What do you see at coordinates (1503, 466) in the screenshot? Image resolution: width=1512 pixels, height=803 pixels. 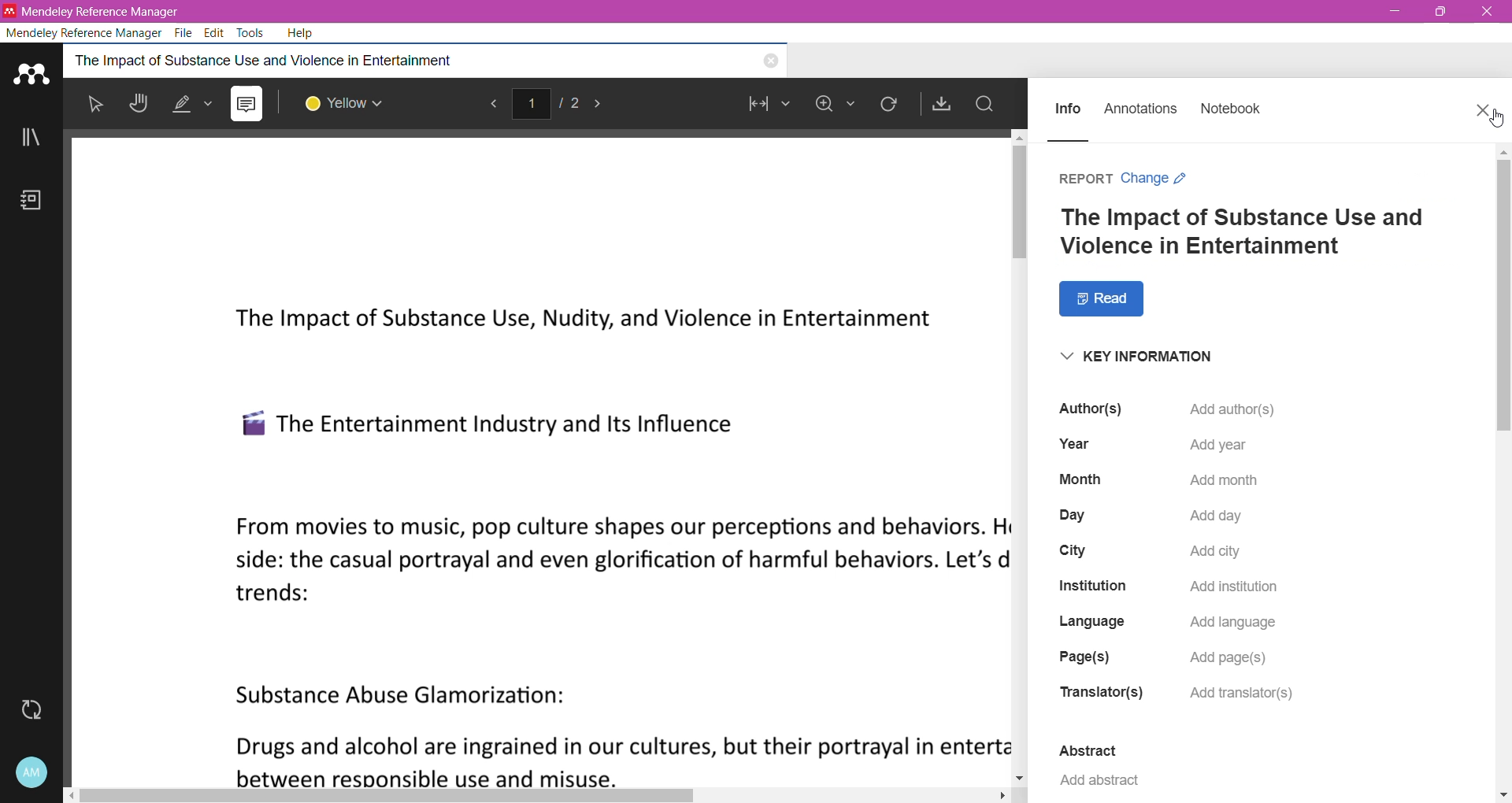 I see `Vertical Scroll Bar` at bounding box center [1503, 466].